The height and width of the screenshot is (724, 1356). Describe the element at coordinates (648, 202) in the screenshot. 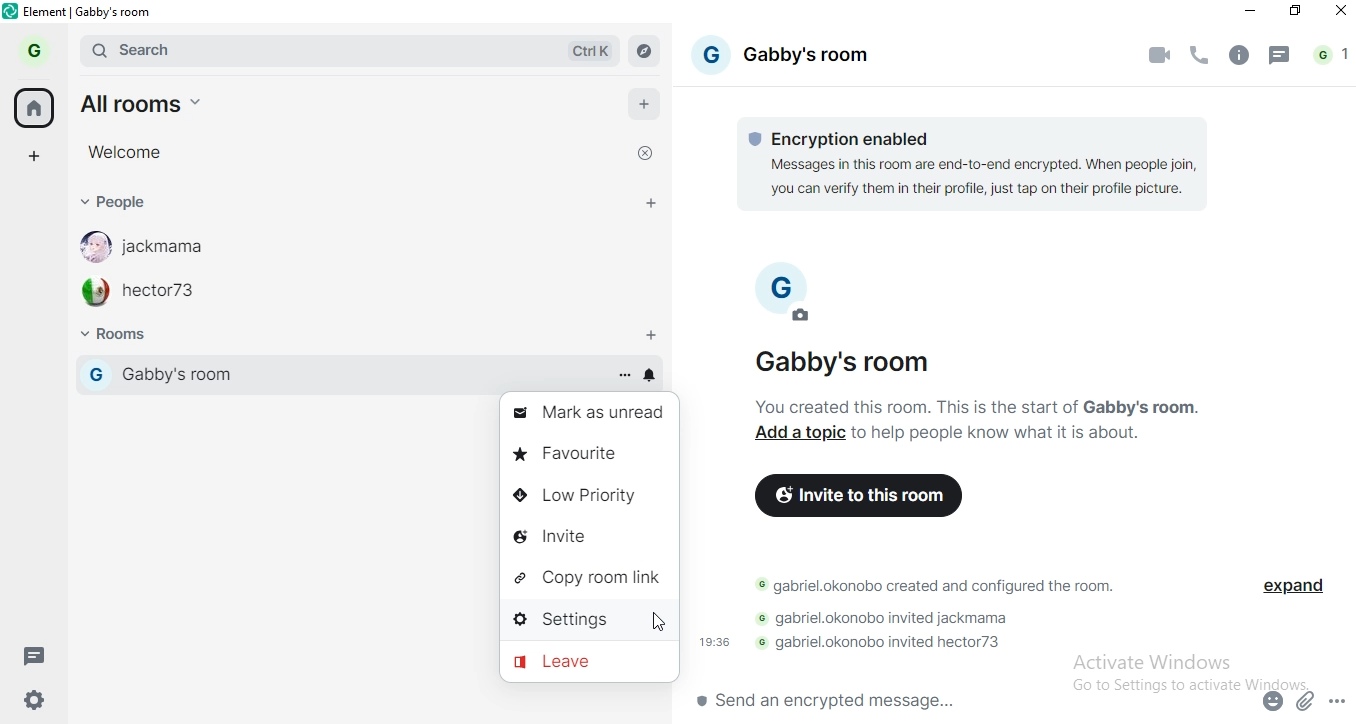

I see `add people` at that location.